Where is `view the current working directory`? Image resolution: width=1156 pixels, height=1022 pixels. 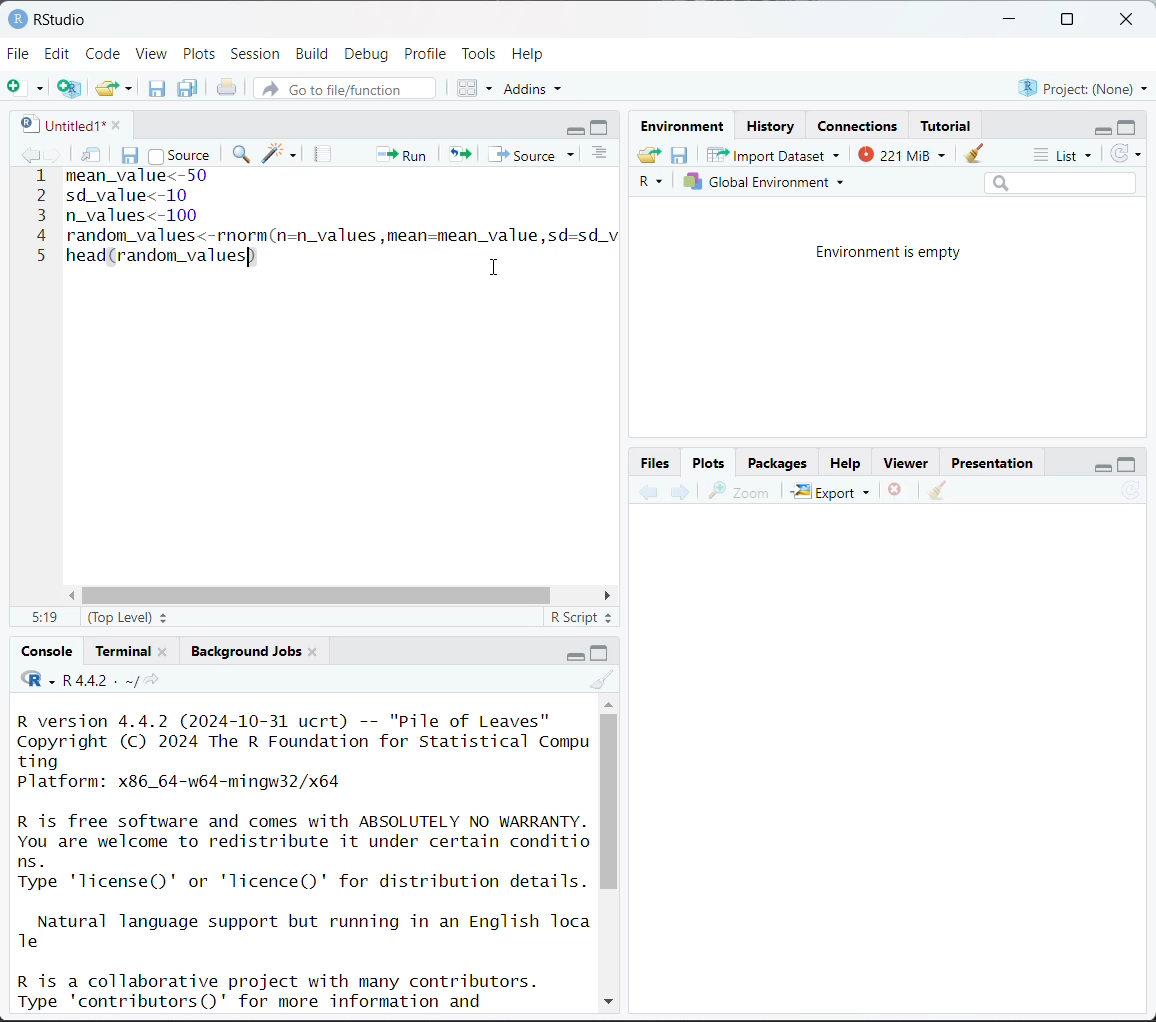
view the current working directory is located at coordinates (151, 680).